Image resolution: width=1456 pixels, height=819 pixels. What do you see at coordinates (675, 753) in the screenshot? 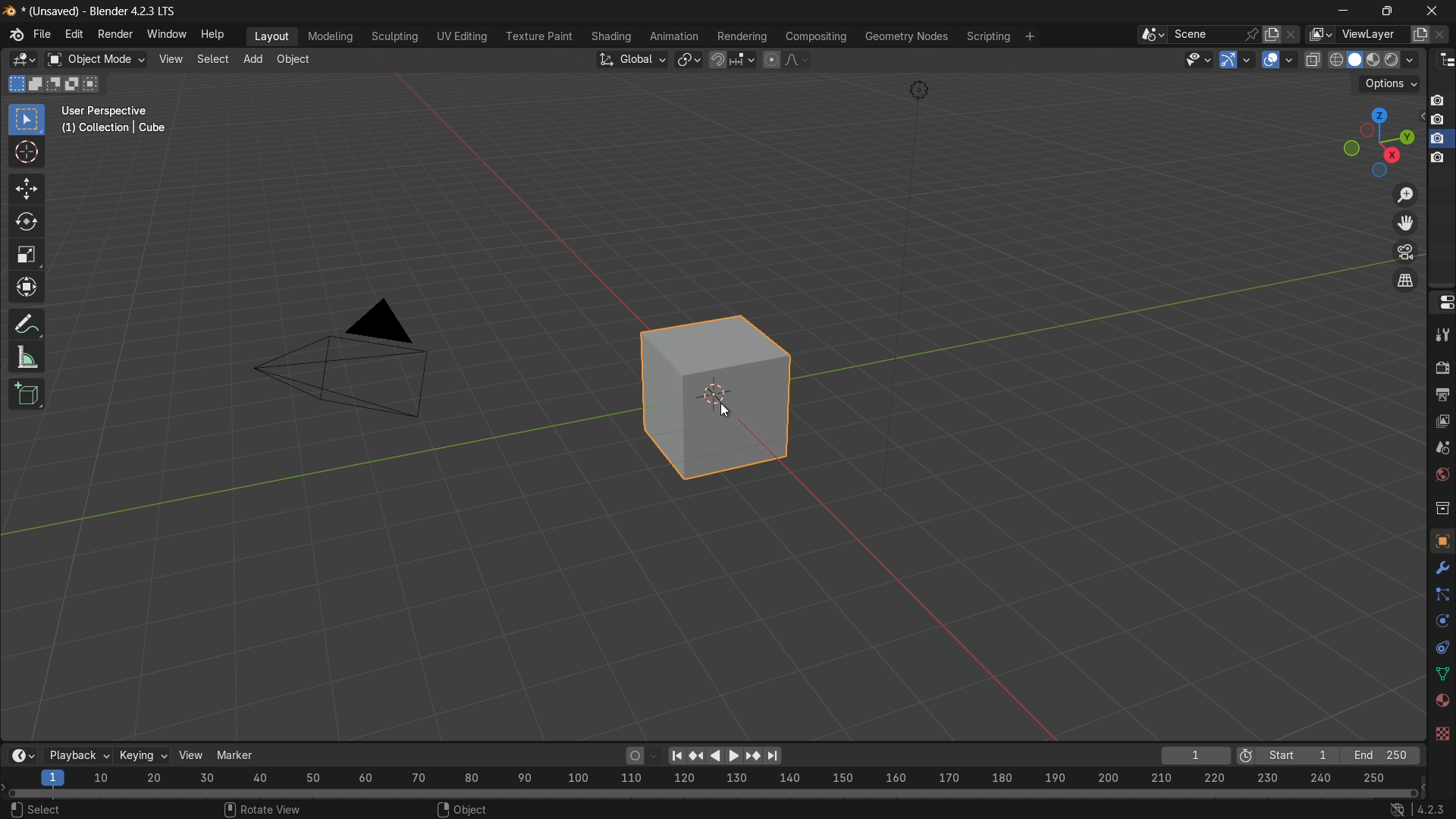
I see `Before Screen` at bounding box center [675, 753].